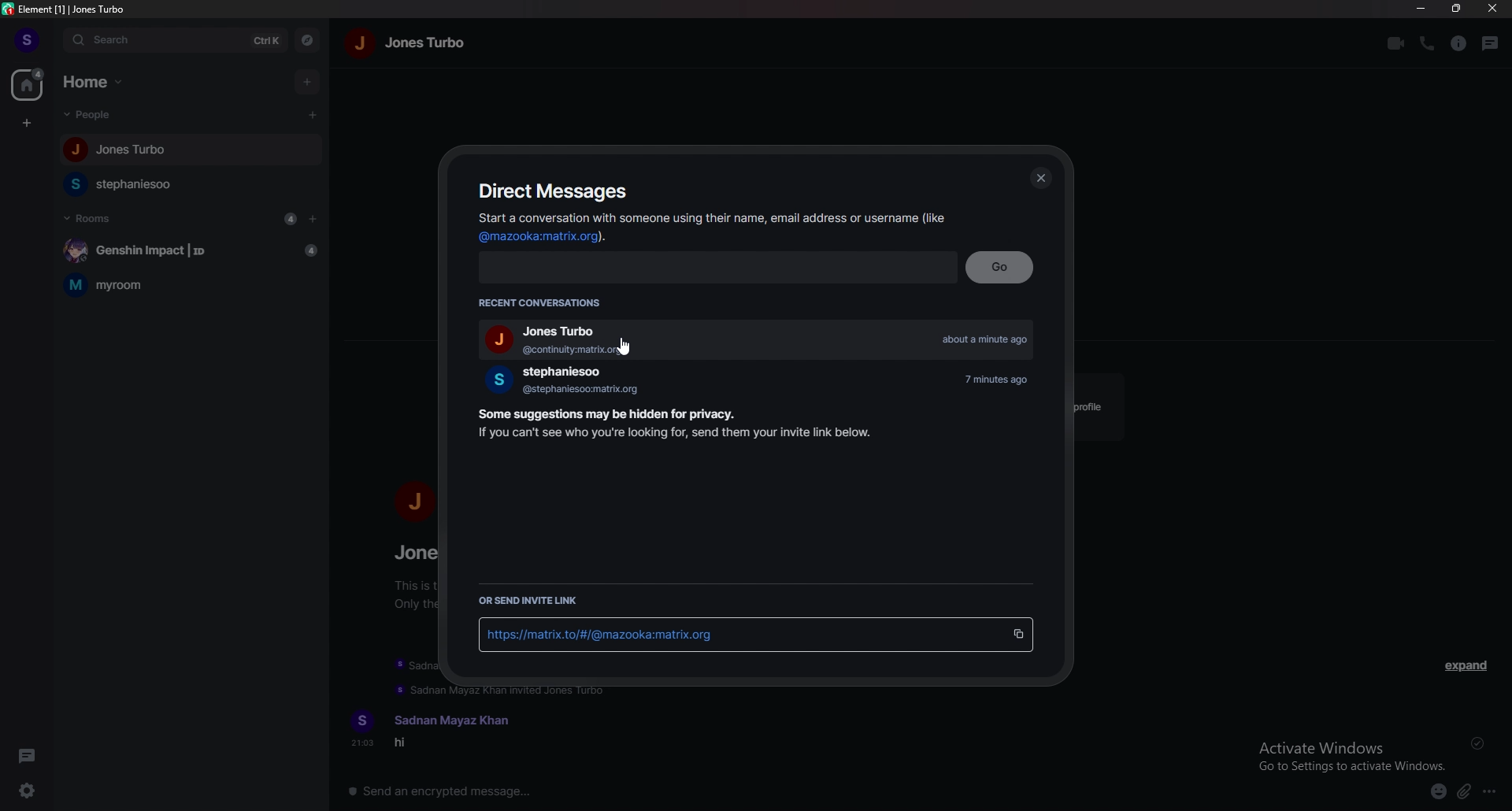 The width and height of the screenshot is (1512, 811). I want to click on jones turbo, so click(427, 44).